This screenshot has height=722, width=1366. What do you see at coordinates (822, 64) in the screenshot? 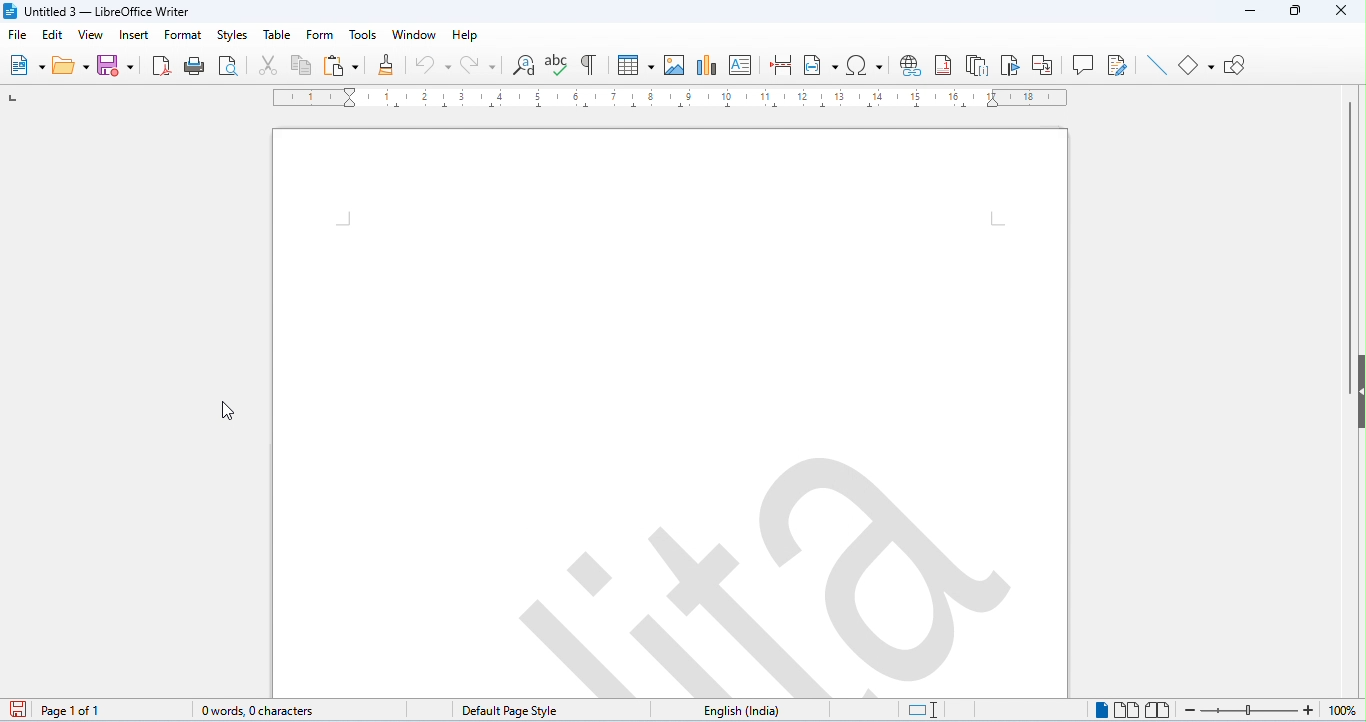
I see `insert field` at bounding box center [822, 64].